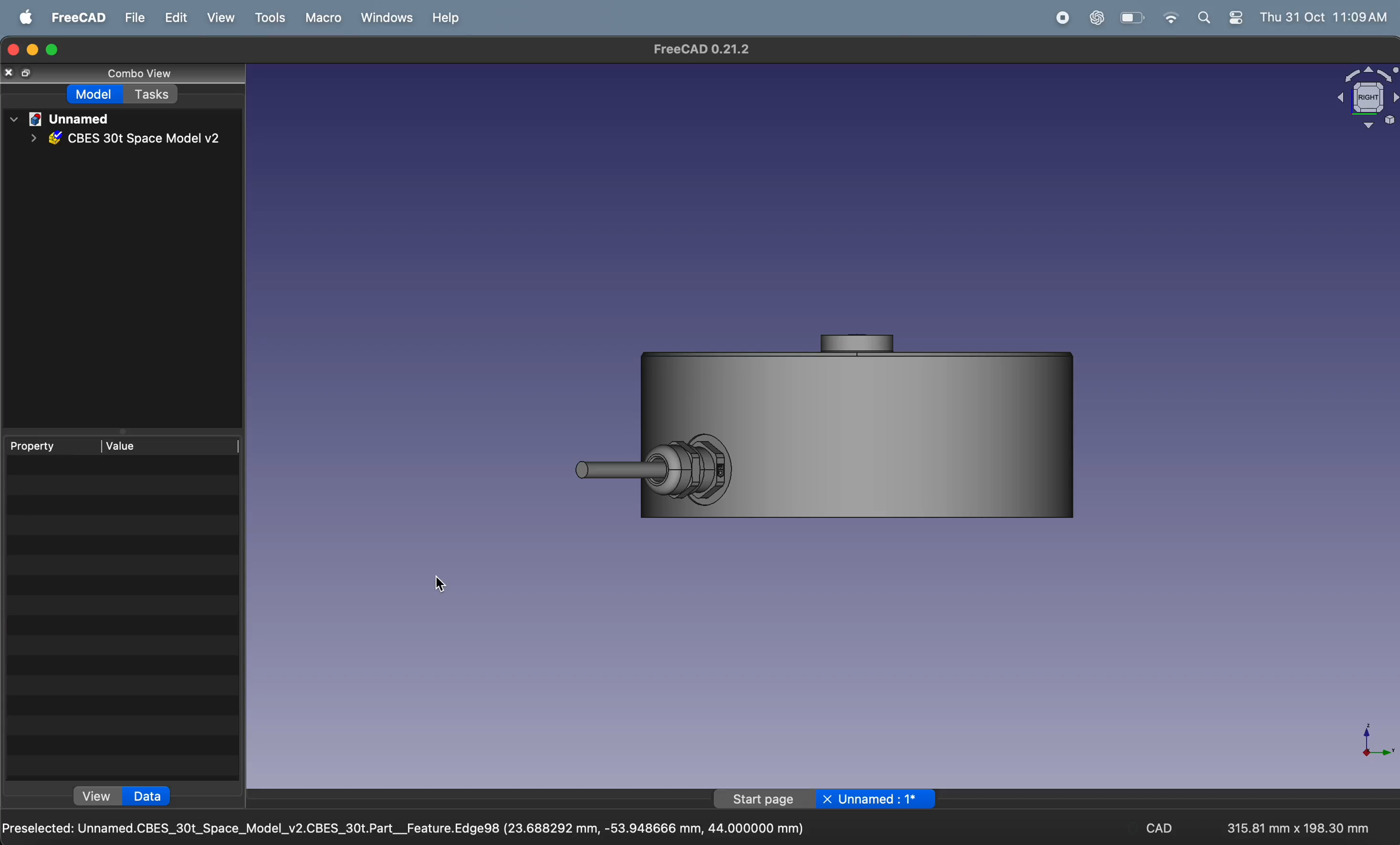 This screenshot has height=845, width=1400. Describe the element at coordinates (1301, 829) in the screenshot. I see `315.81 mm x 198.30 mm` at that location.